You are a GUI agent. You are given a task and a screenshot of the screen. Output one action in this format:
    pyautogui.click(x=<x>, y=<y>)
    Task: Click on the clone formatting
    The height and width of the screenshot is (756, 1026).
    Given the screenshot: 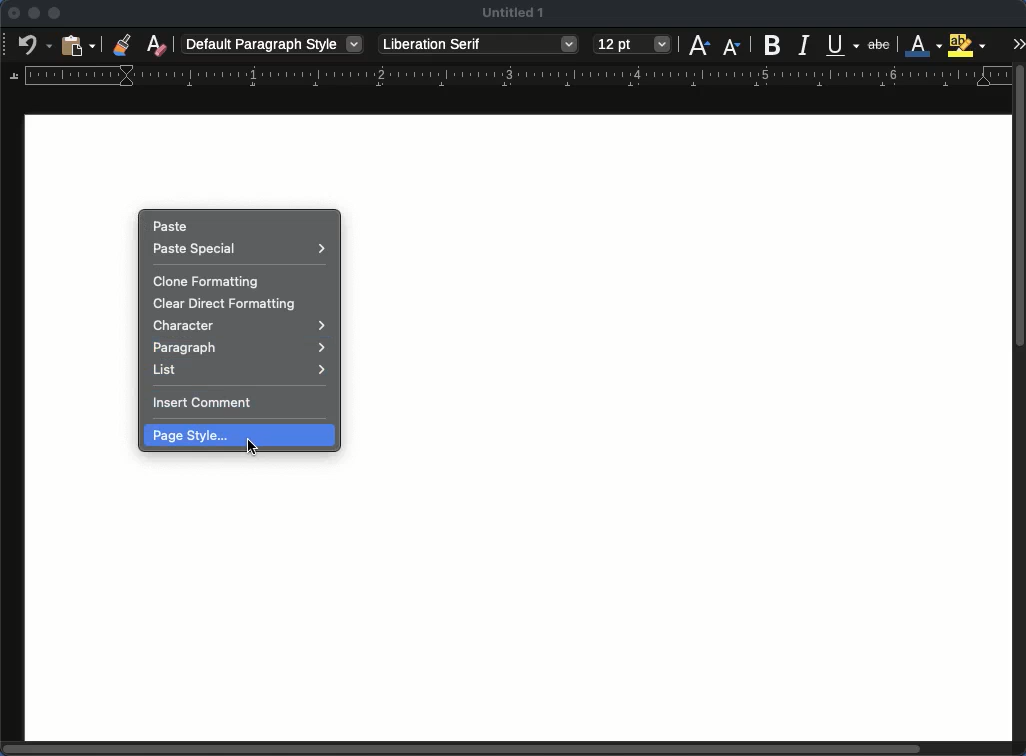 What is the action you would take?
    pyautogui.click(x=204, y=281)
    